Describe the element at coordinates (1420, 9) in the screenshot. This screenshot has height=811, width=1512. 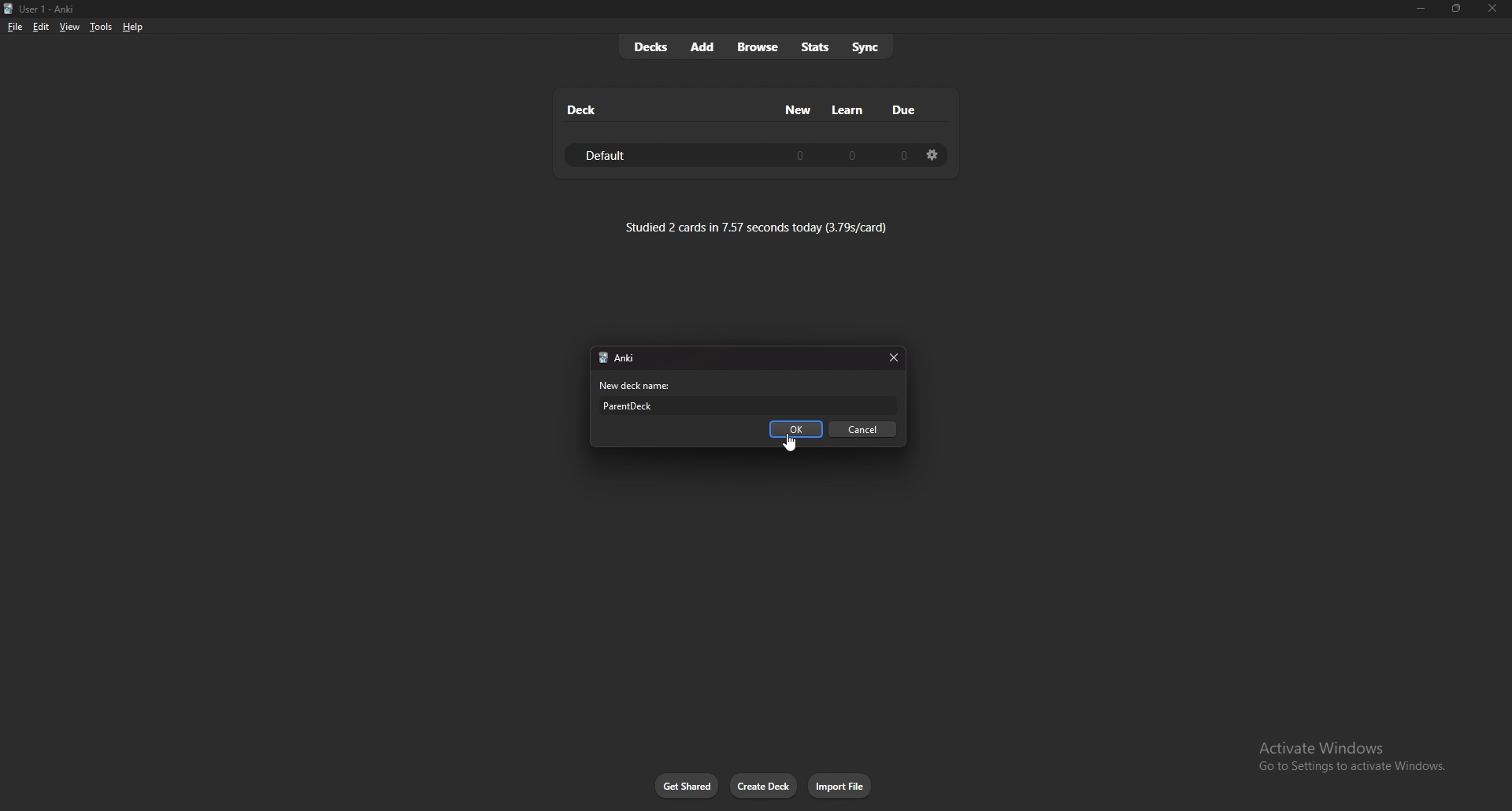
I see `minimize` at that location.